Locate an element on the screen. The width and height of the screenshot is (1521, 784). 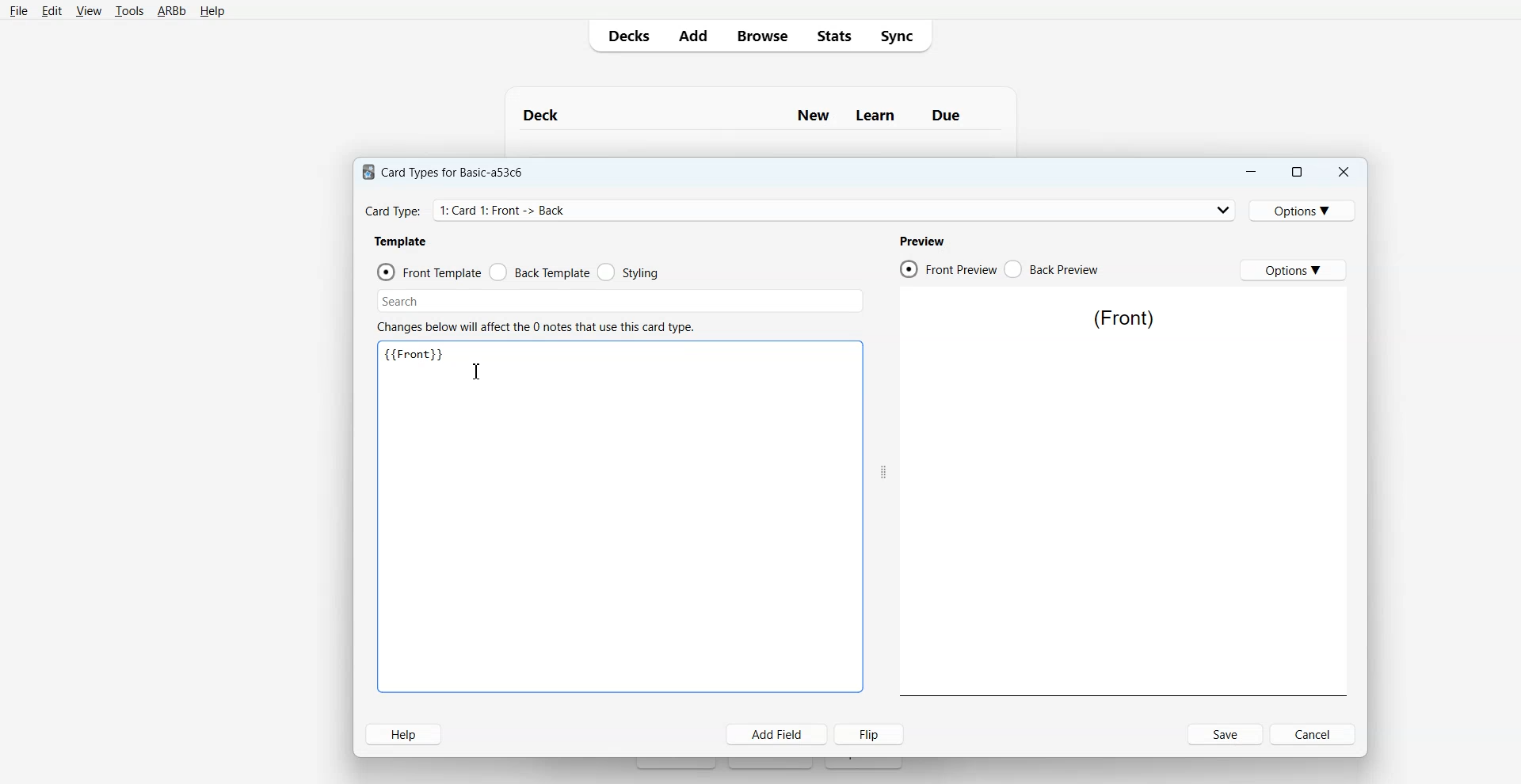
(Front) is located at coordinates (1123, 318).